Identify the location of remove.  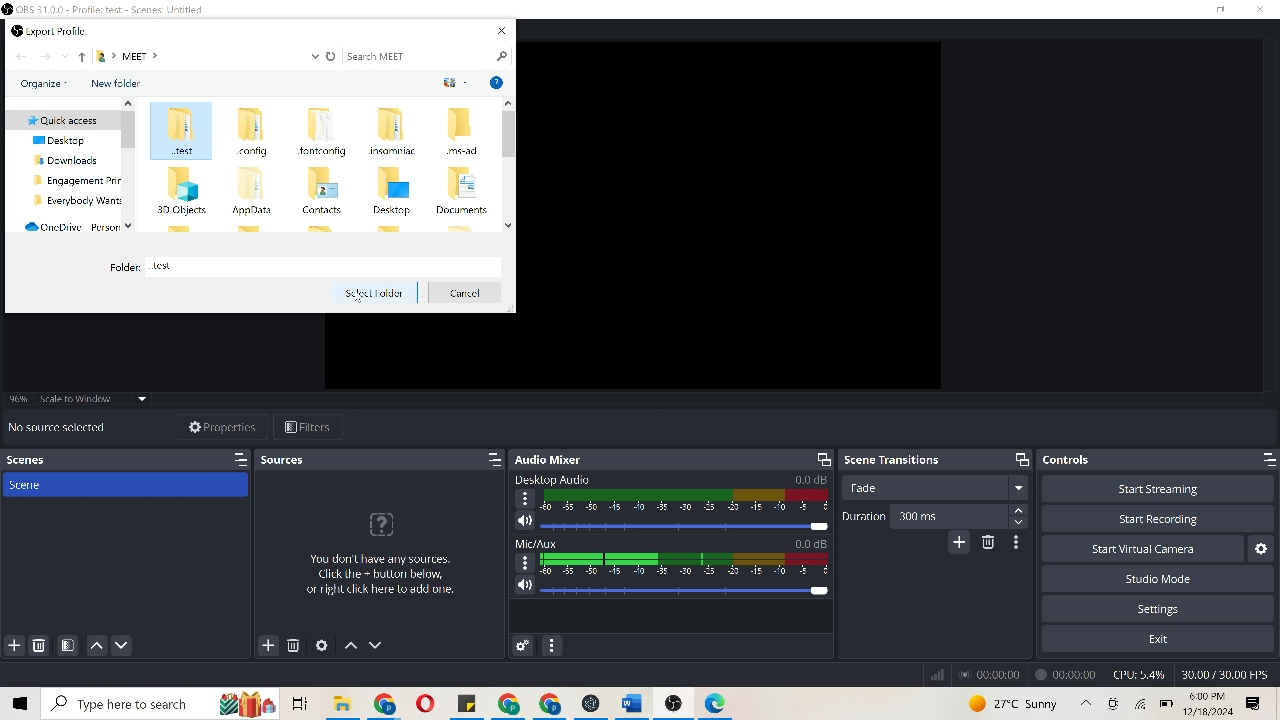
(293, 647).